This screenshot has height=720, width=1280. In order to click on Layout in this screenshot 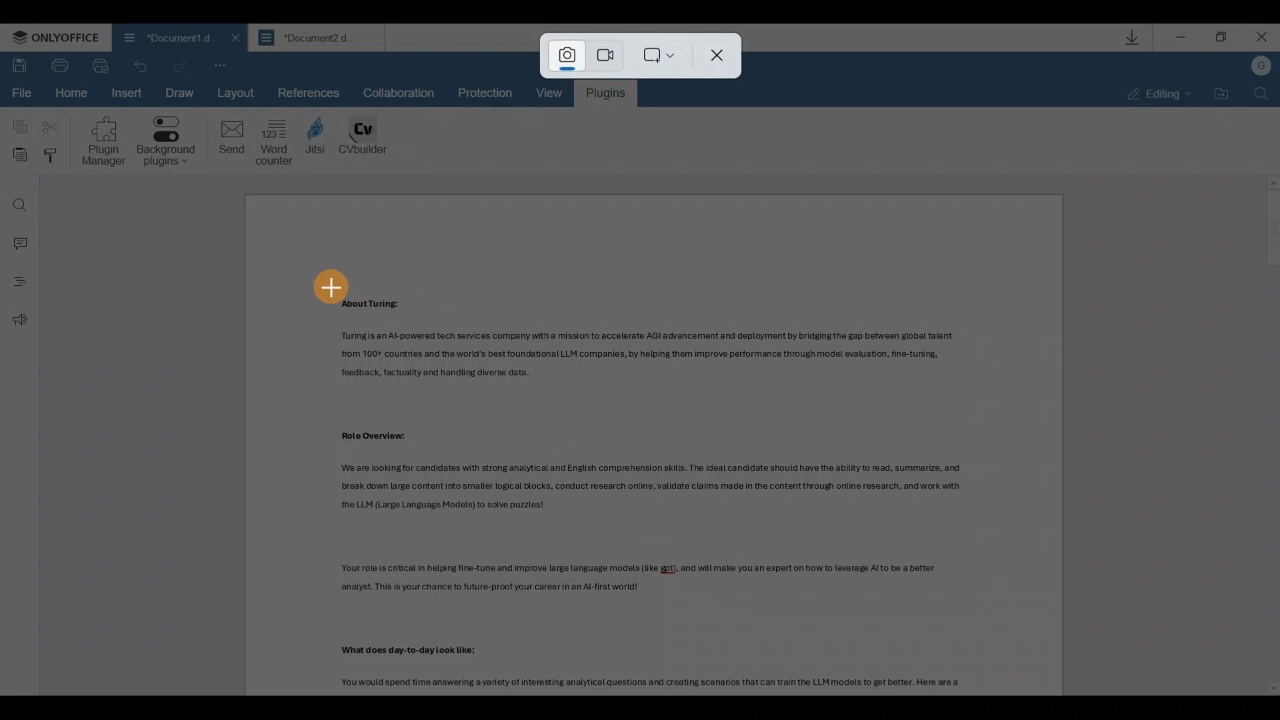, I will do `click(241, 93)`.